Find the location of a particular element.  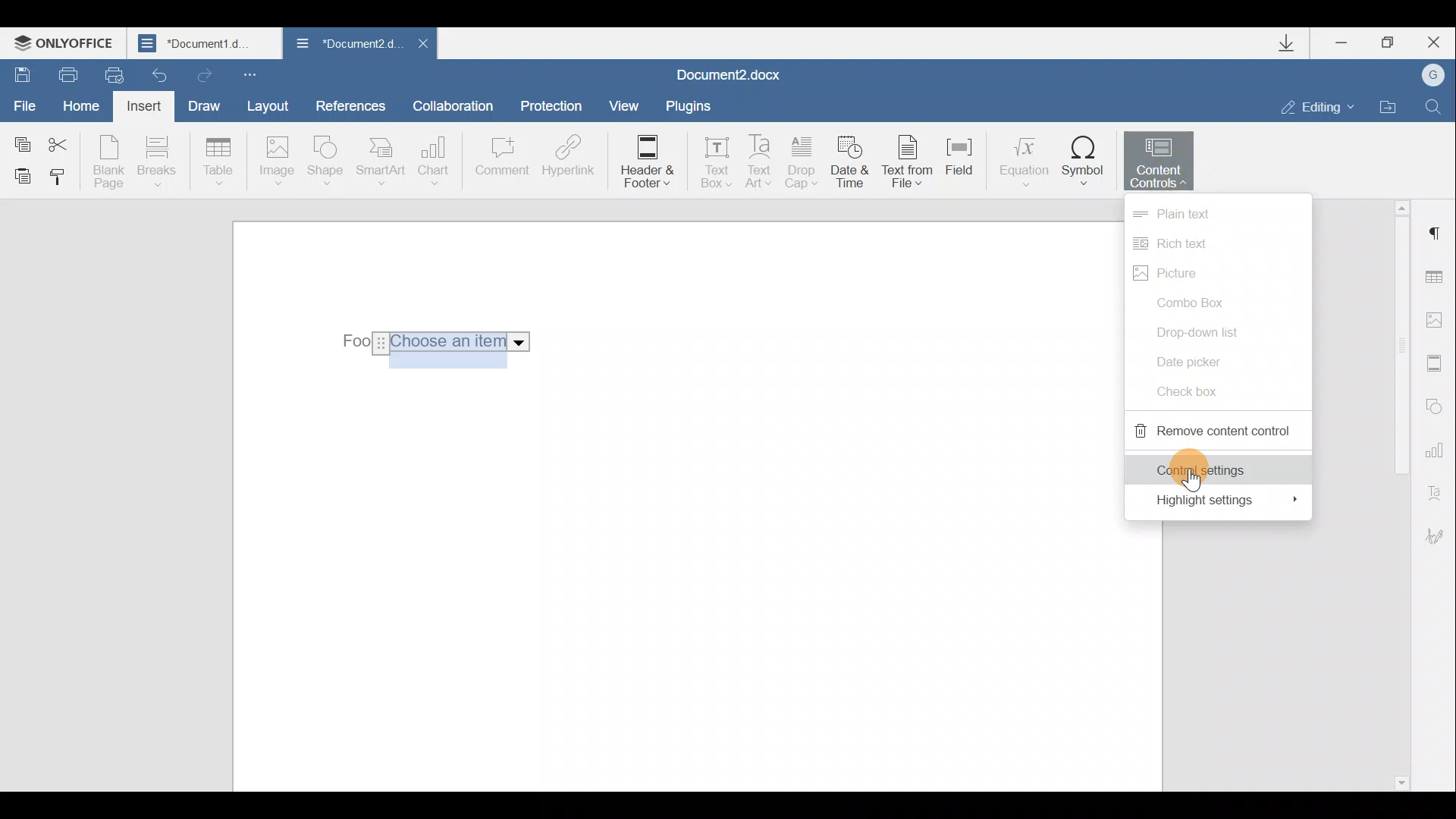

Undo is located at coordinates (161, 71).